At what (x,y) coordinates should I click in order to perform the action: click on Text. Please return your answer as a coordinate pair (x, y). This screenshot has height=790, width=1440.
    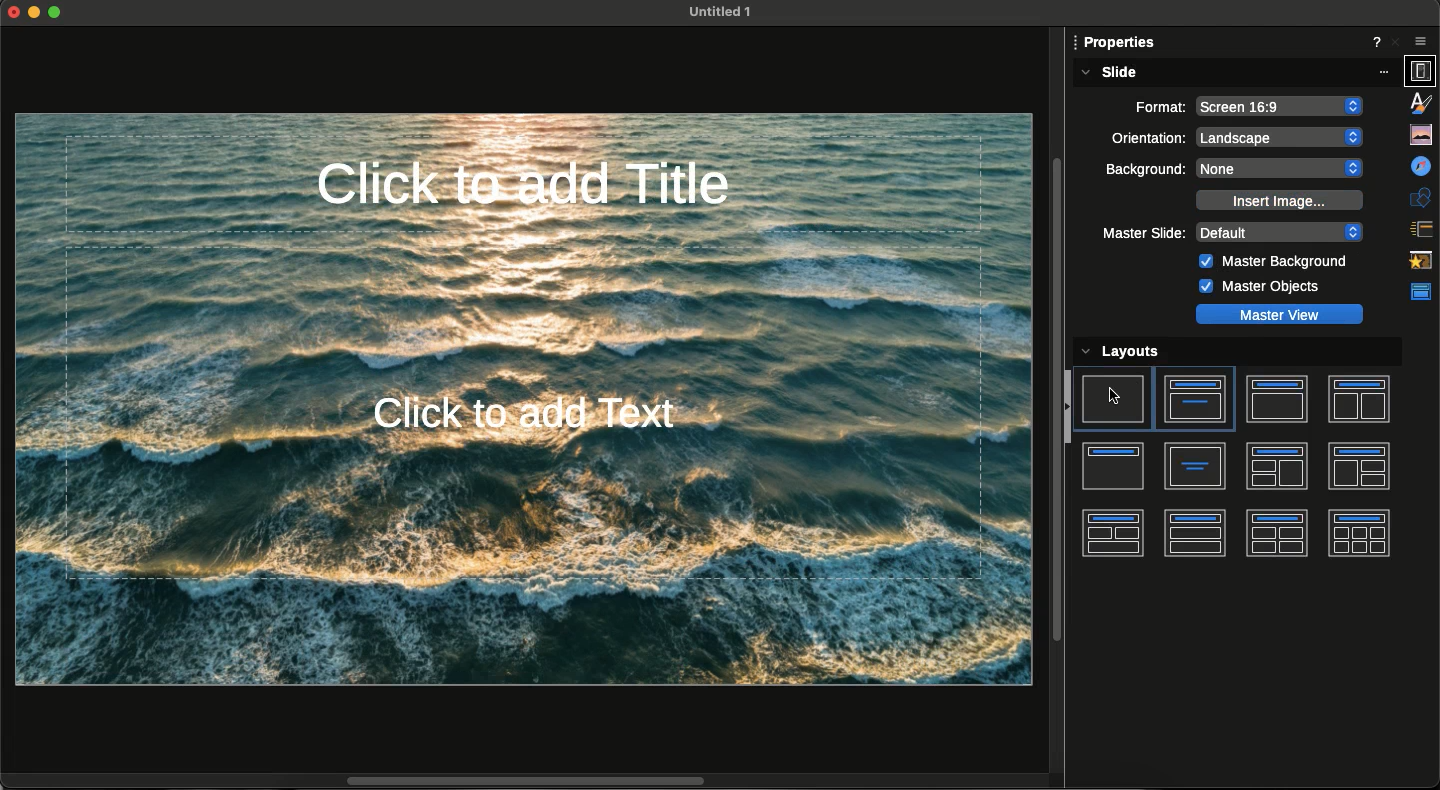
    Looking at the image, I should click on (1196, 466).